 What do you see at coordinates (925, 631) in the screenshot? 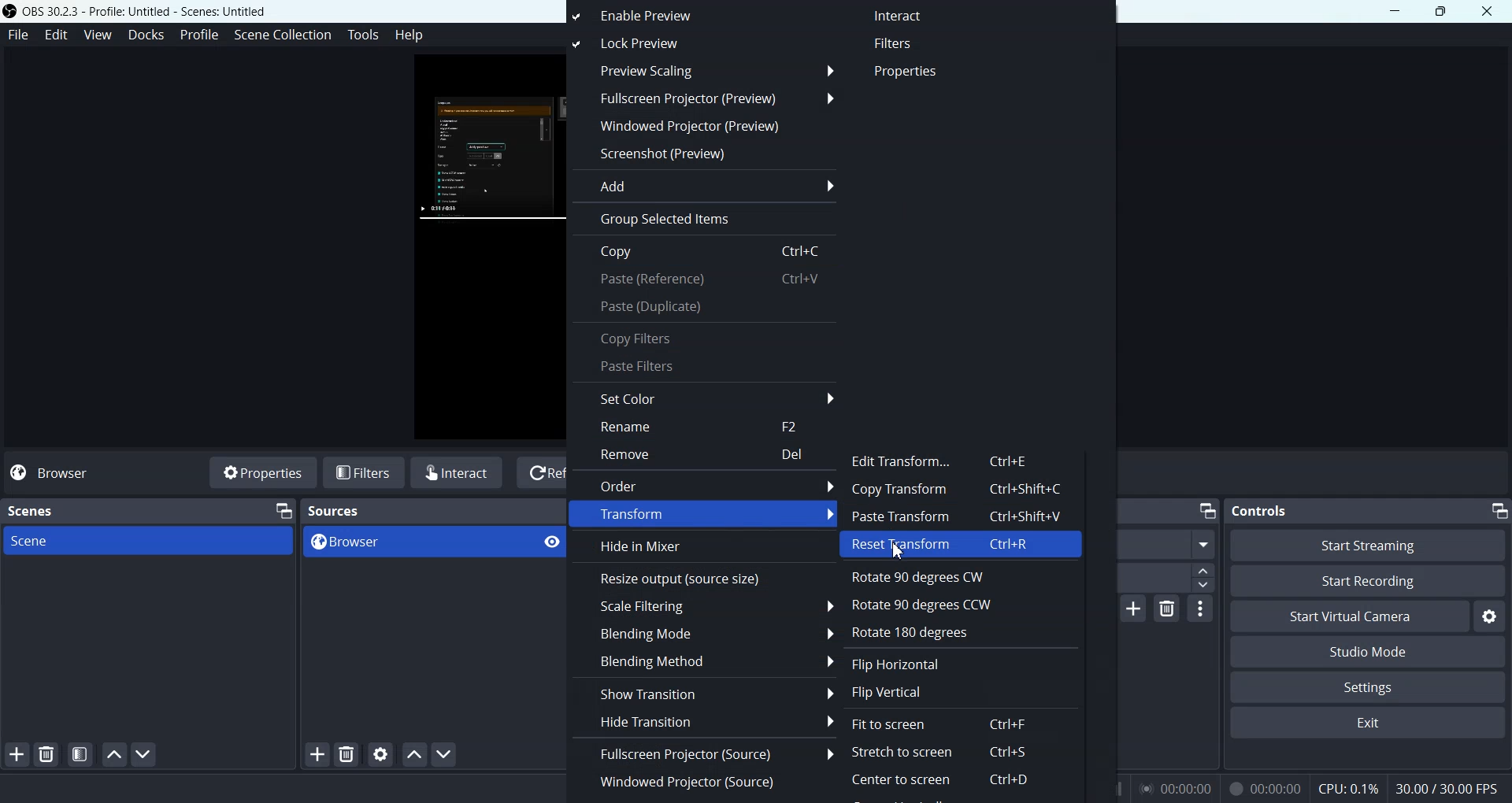
I see `Rotate 180 Degrees` at bounding box center [925, 631].